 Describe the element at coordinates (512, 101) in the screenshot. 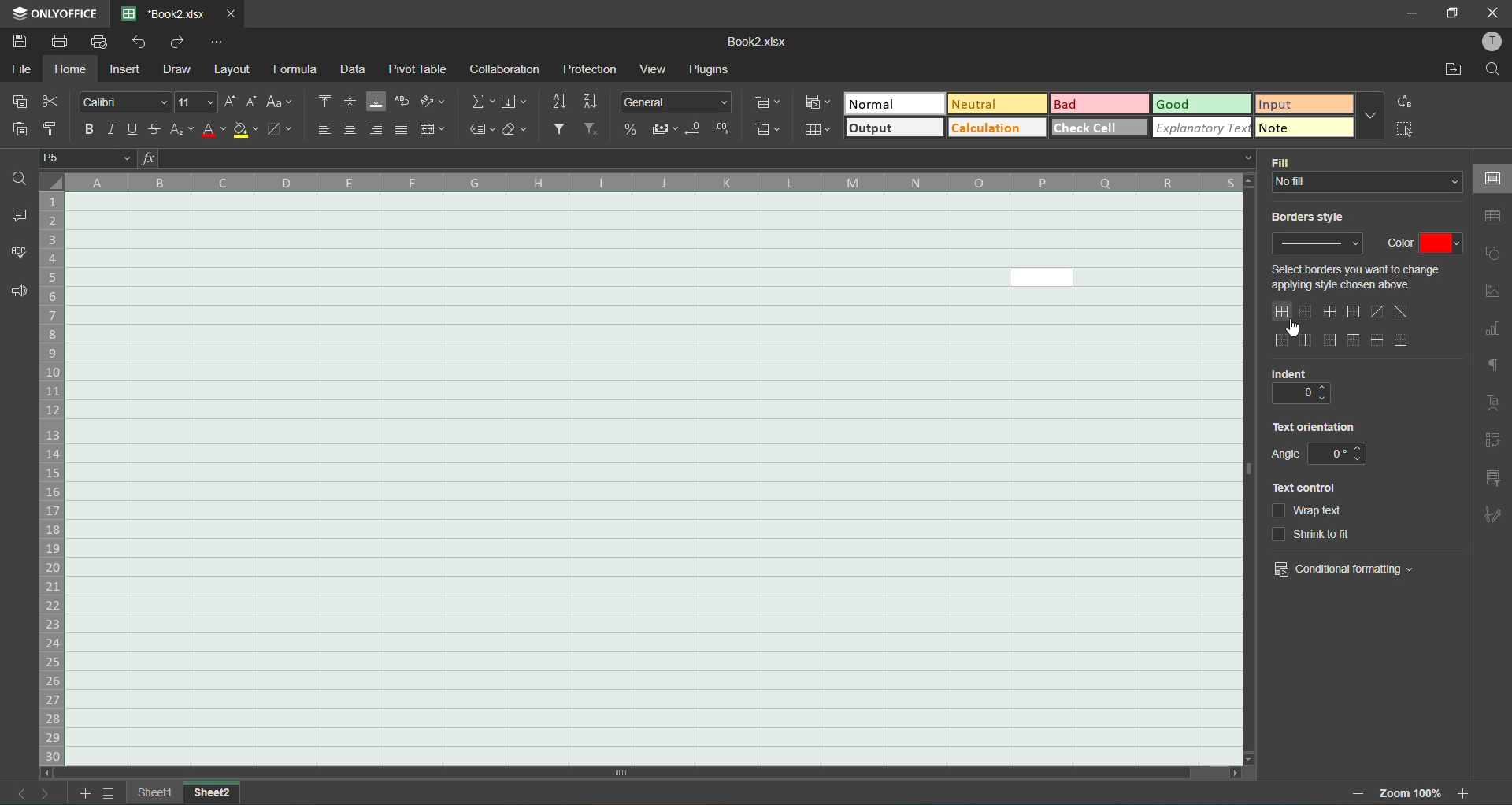

I see `fields` at that location.